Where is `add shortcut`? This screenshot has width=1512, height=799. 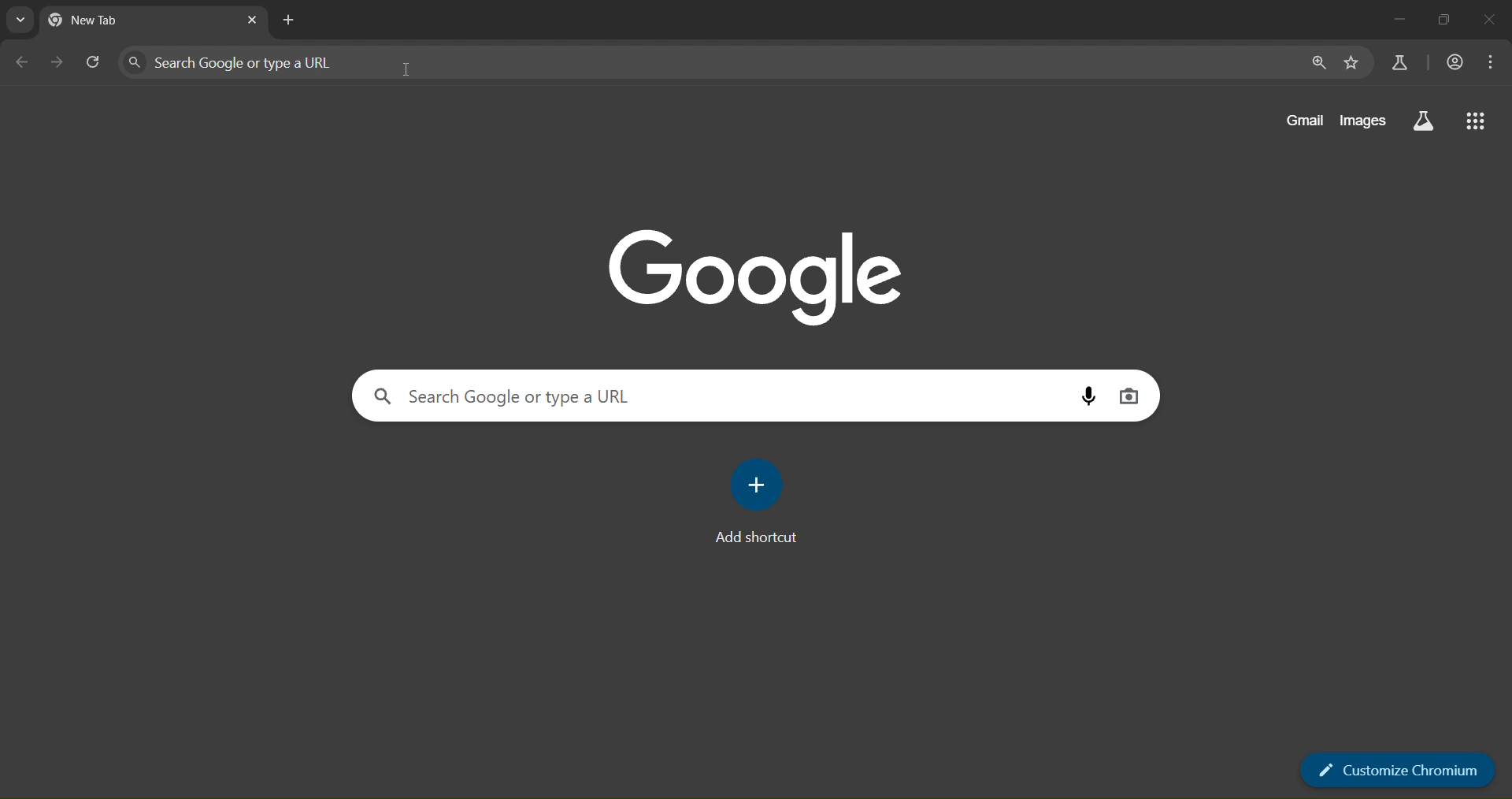
add shortcut is located at coordinates (762, 500).